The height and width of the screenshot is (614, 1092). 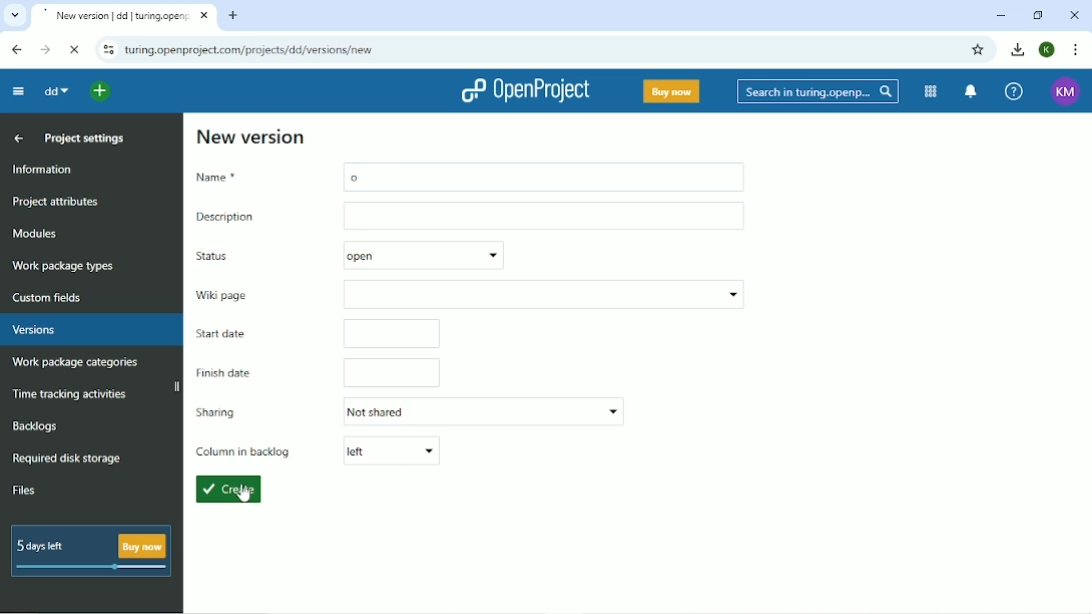 What do you see at coordinates (407, 411) in the screenshot?
I see `Sharing` at bounding box center [407, 411].